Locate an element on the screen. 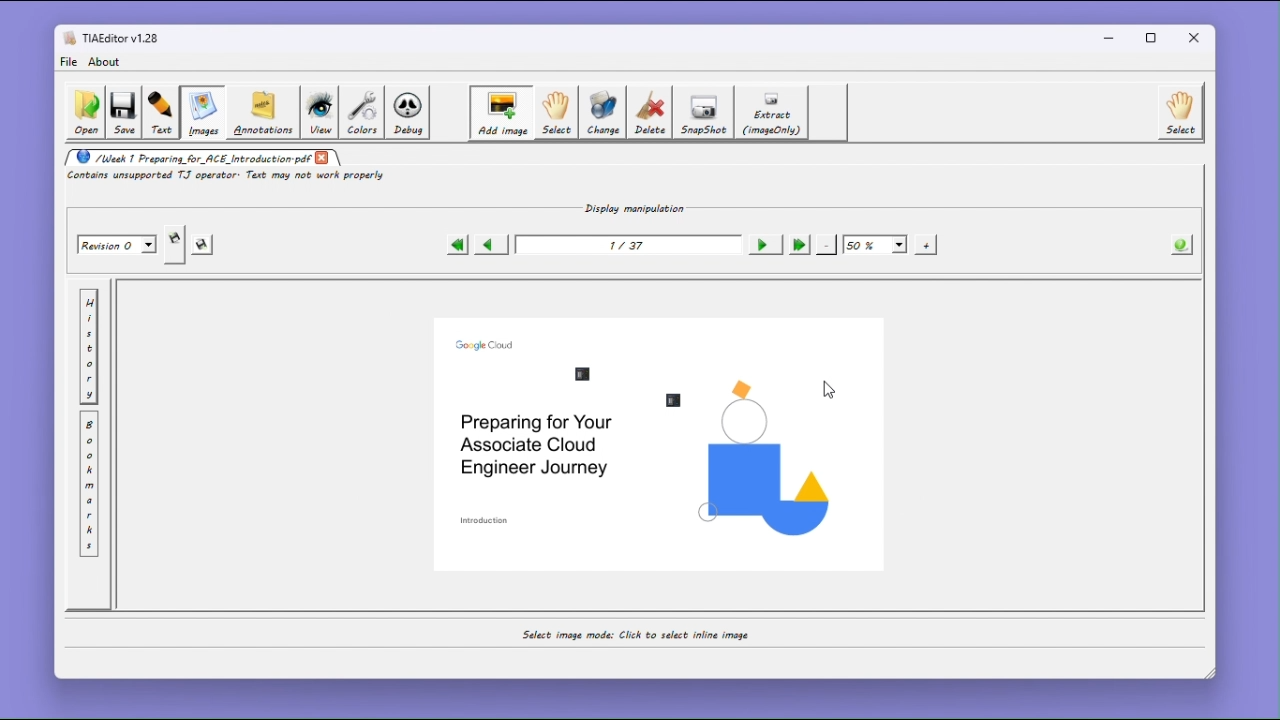  close is located at coordinates (323, 157).